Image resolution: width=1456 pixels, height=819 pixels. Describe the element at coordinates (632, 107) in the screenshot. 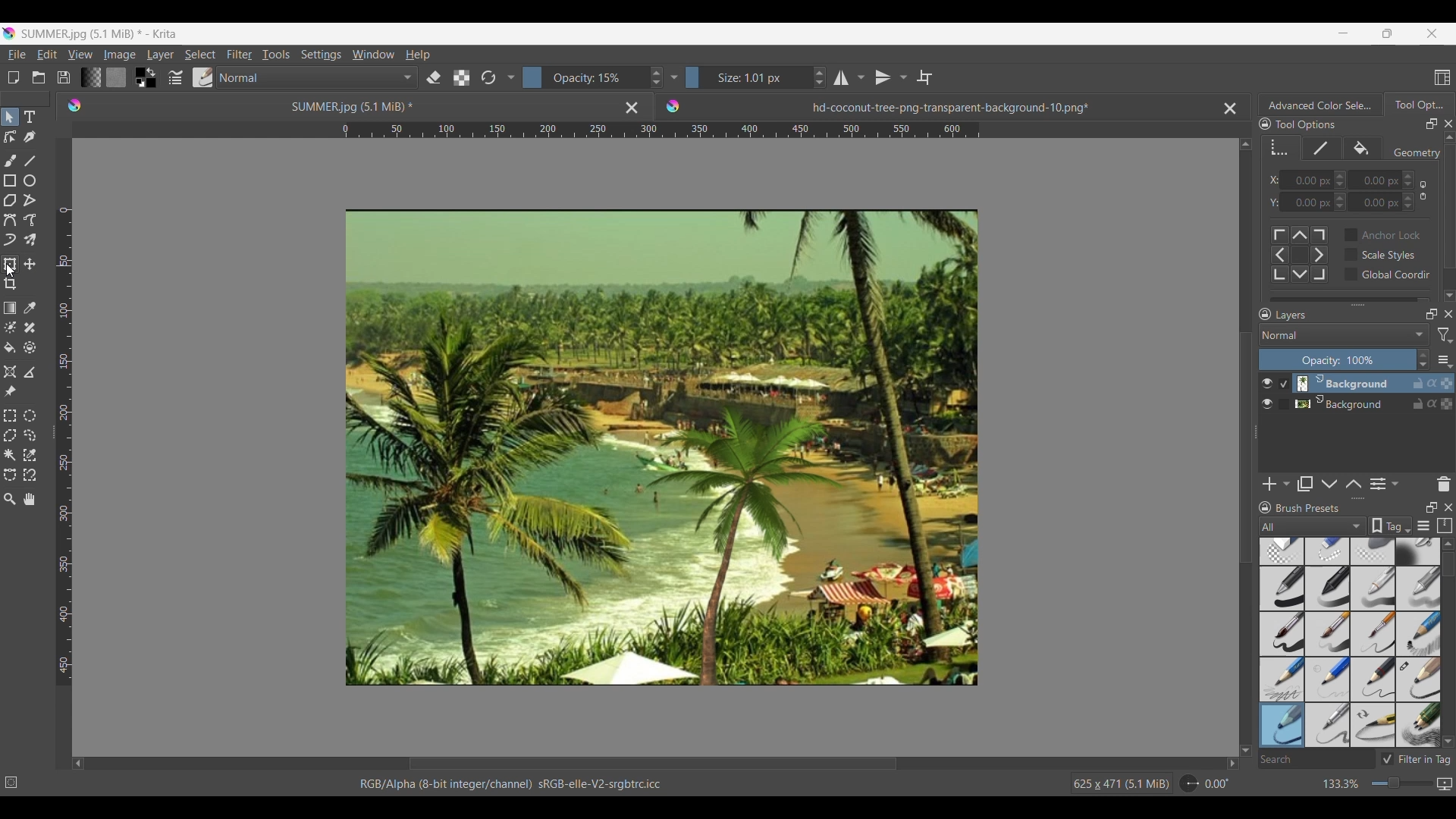

I see `Close` at that location.